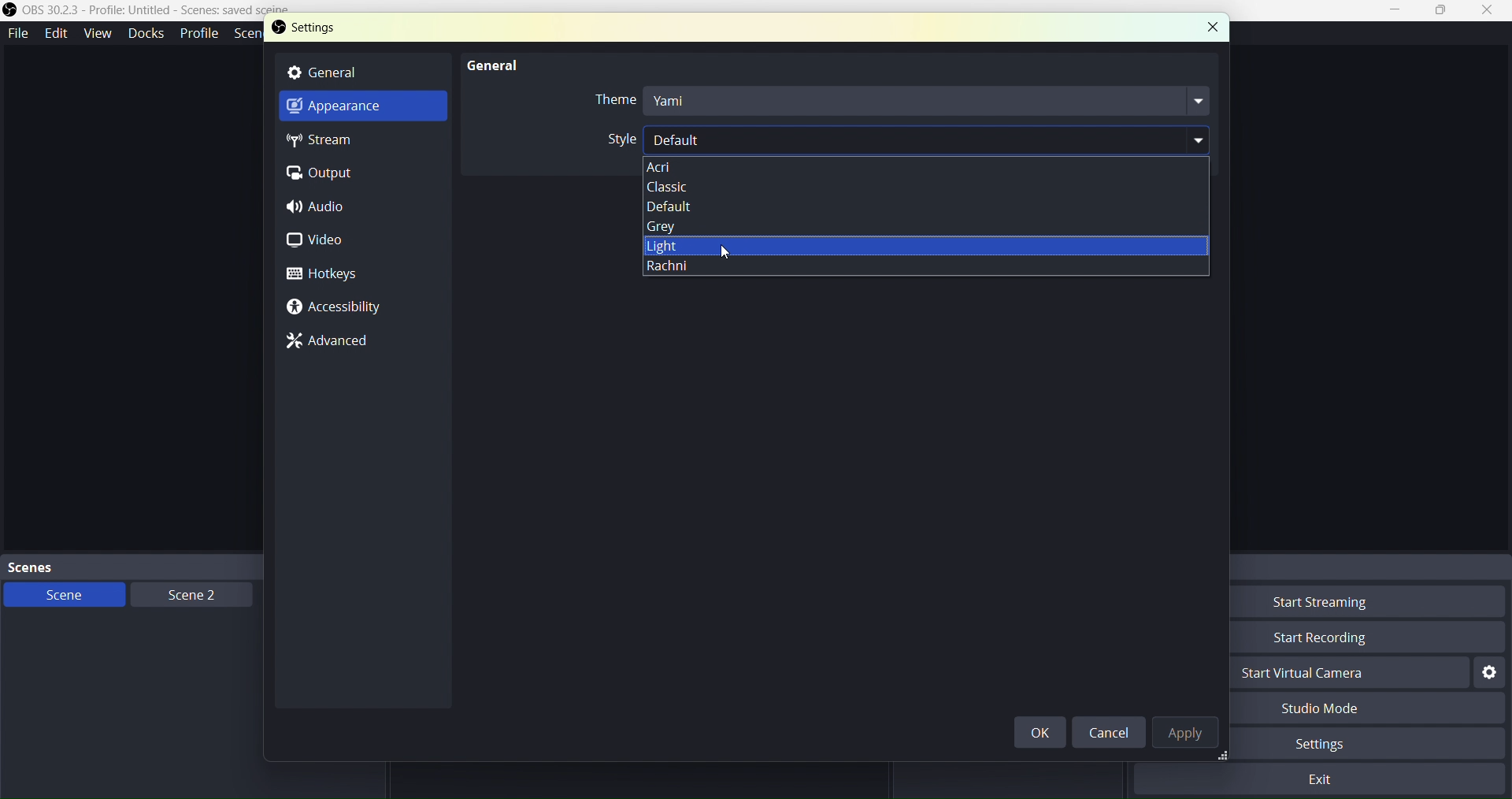  What do you see at coordinates (1488, 11) in the screenshot?
I see `Close` at bounding box center [1488, 11].